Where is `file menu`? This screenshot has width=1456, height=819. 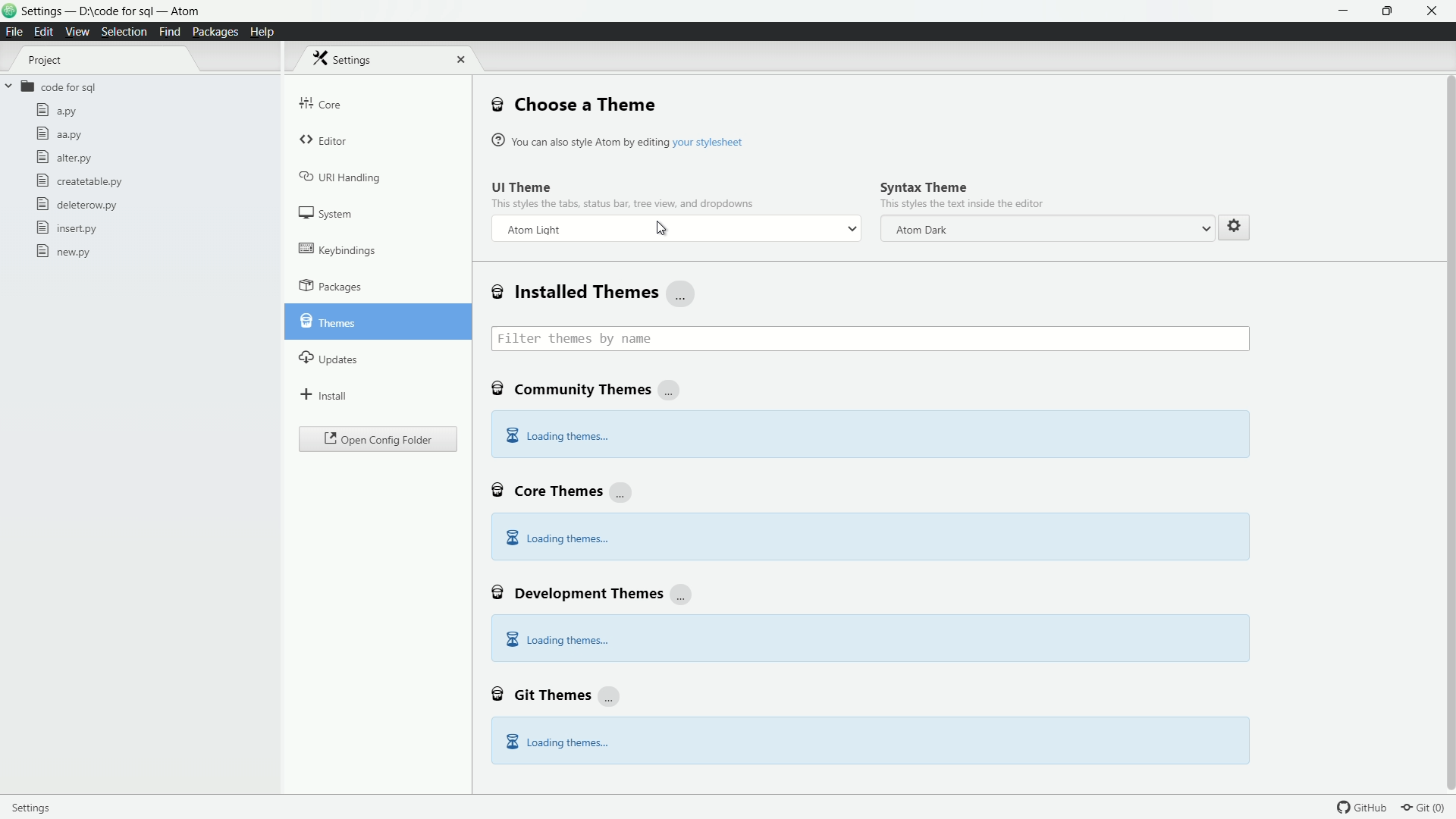 file menu is located at coordinates (14, 33).